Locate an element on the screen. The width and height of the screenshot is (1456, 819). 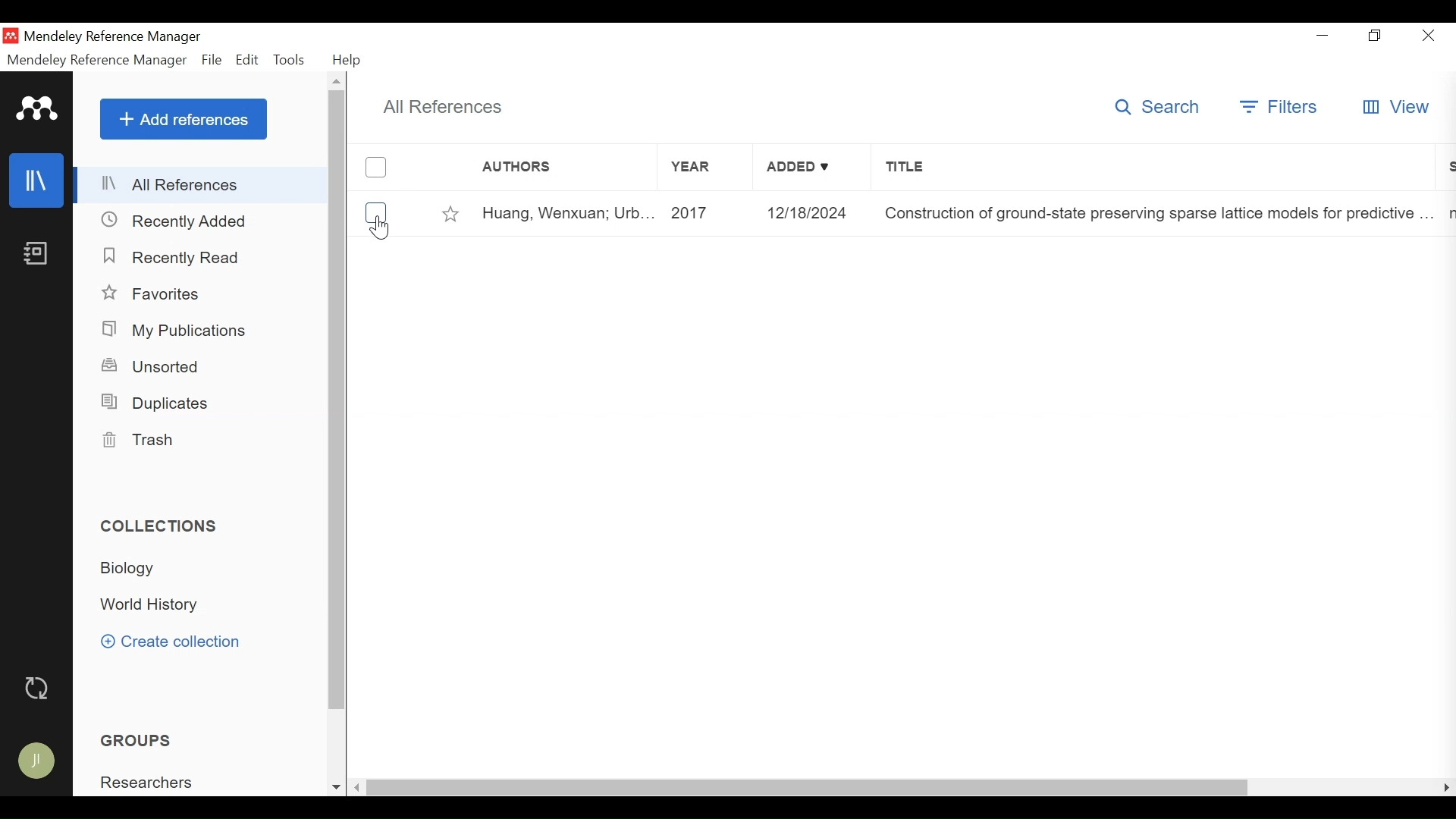
Author is located at coordinates (568, 215).